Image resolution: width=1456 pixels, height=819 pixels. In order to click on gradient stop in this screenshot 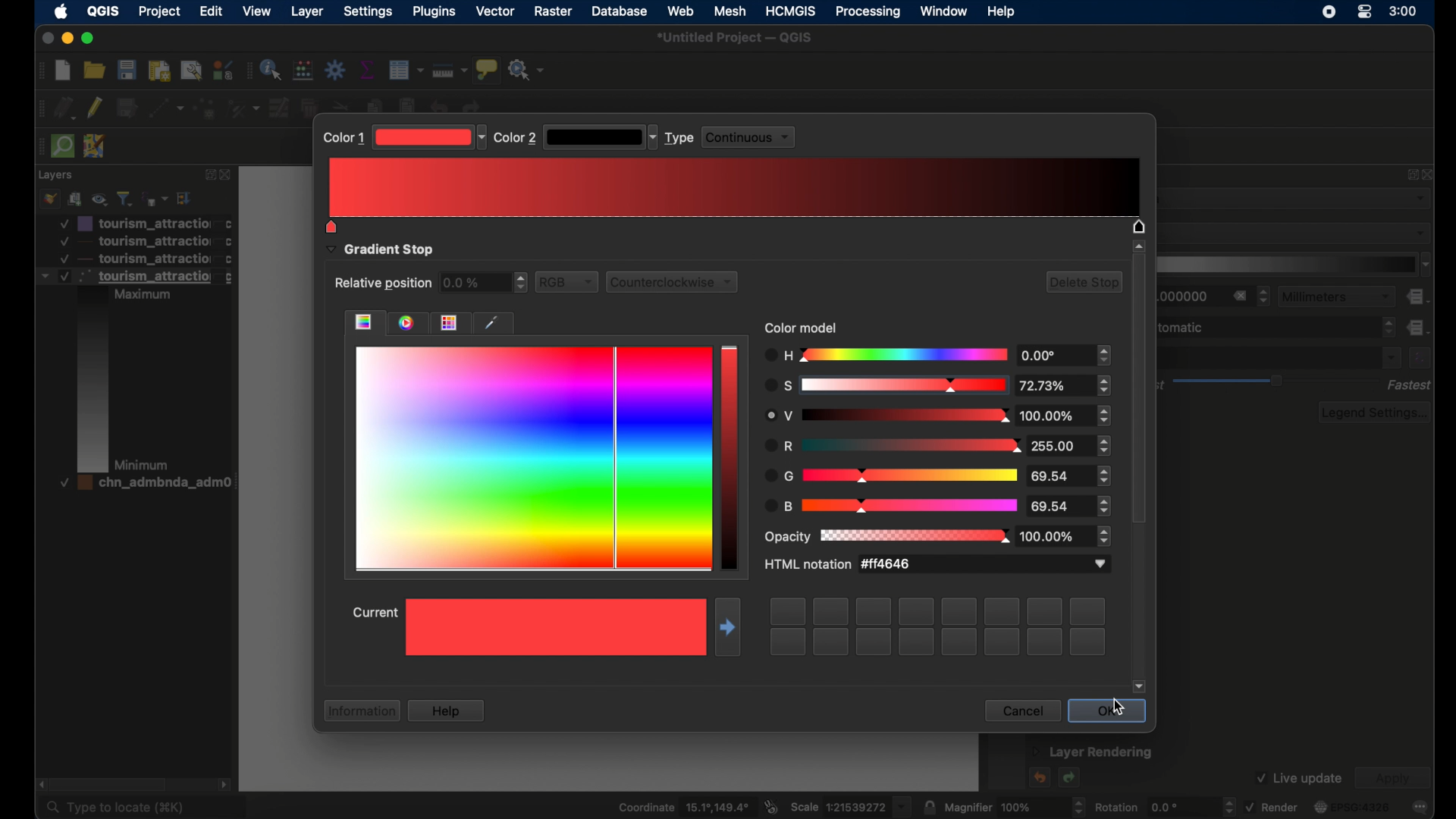, I will do `click(379, 250)`.